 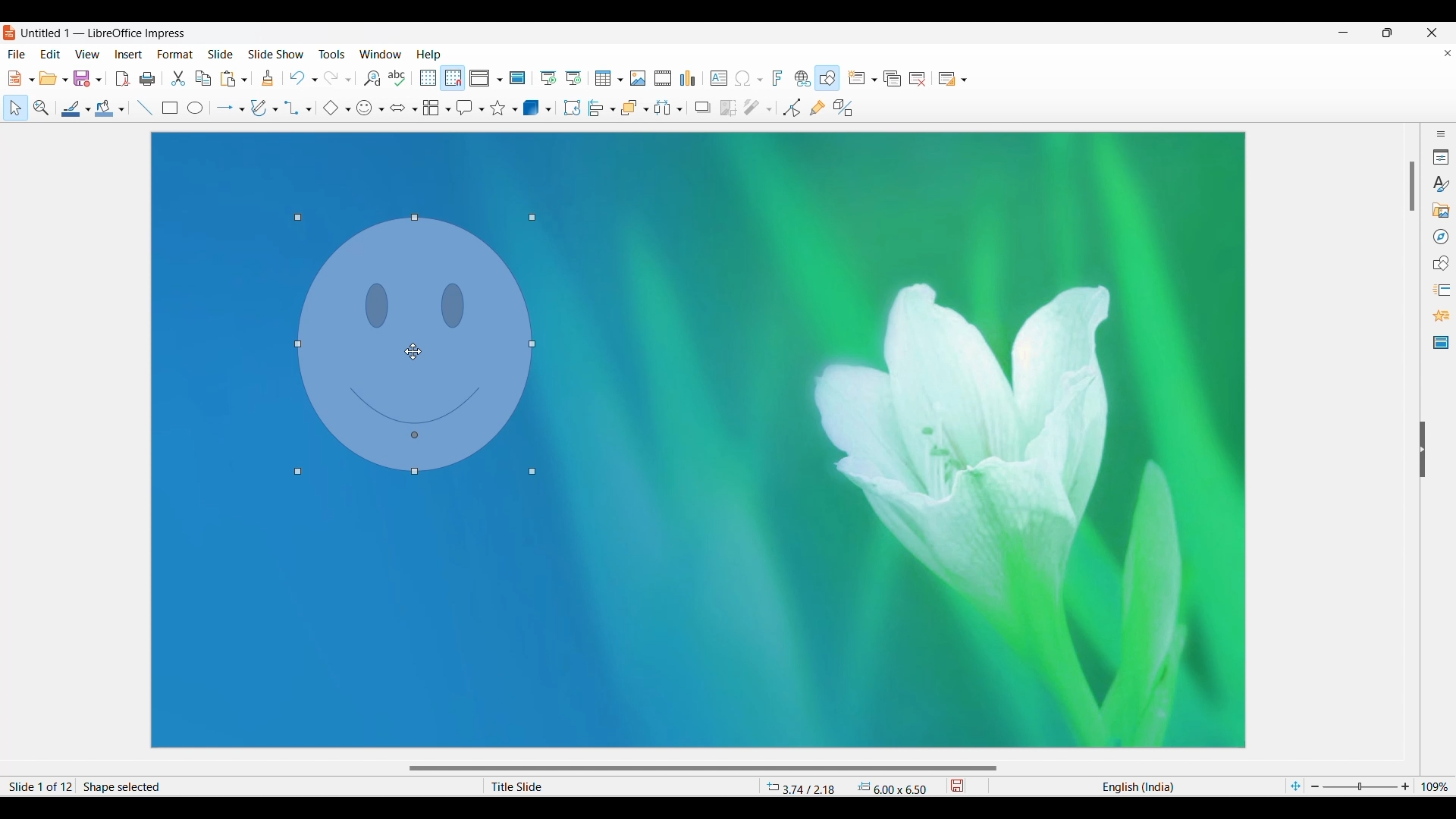 I want to click on File, so click(x=17, y=54).